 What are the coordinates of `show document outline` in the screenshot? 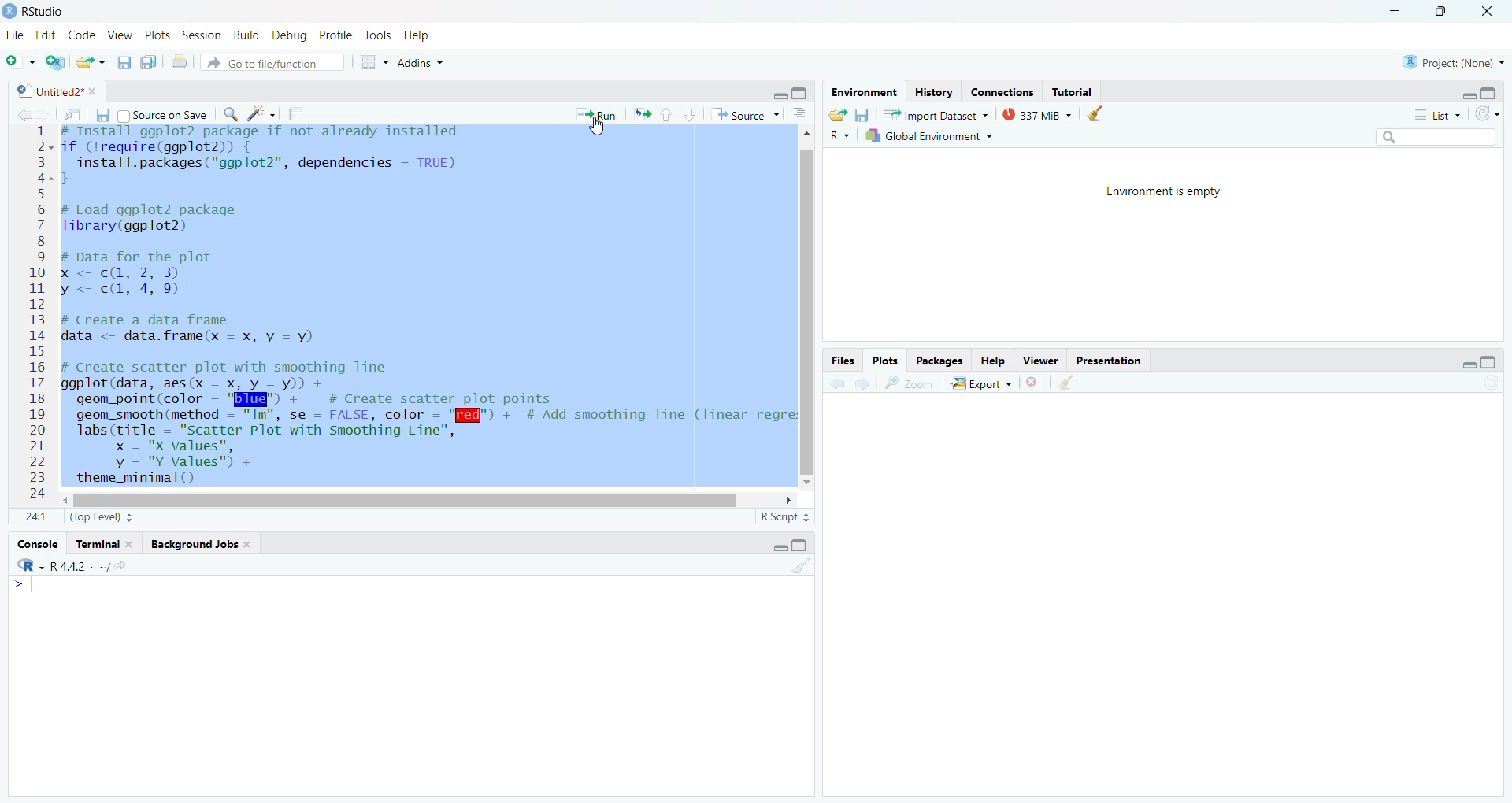 It's located at (802, 113).